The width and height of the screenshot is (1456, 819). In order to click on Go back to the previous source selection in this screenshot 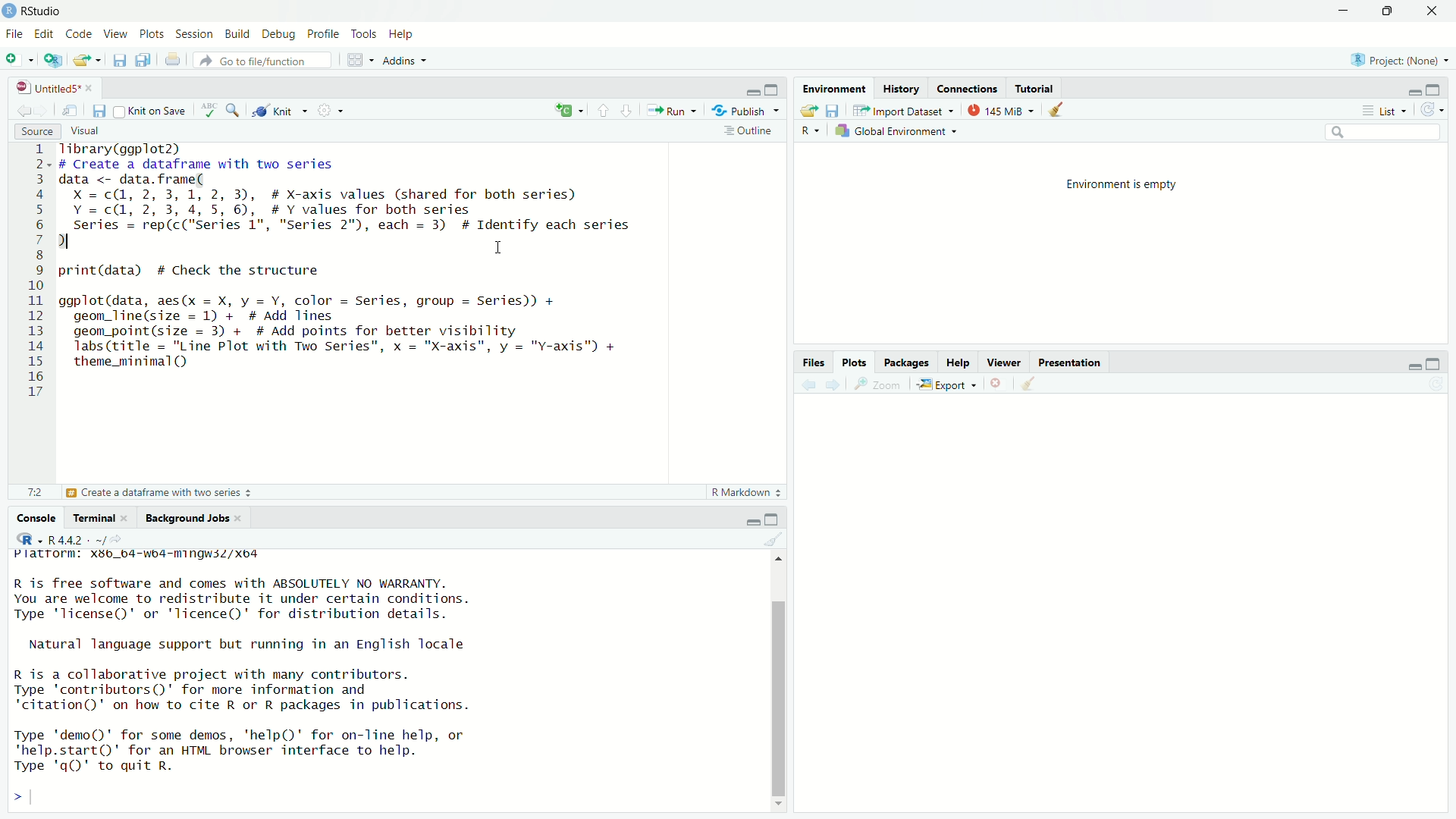, I will do `click(809, 384)`.